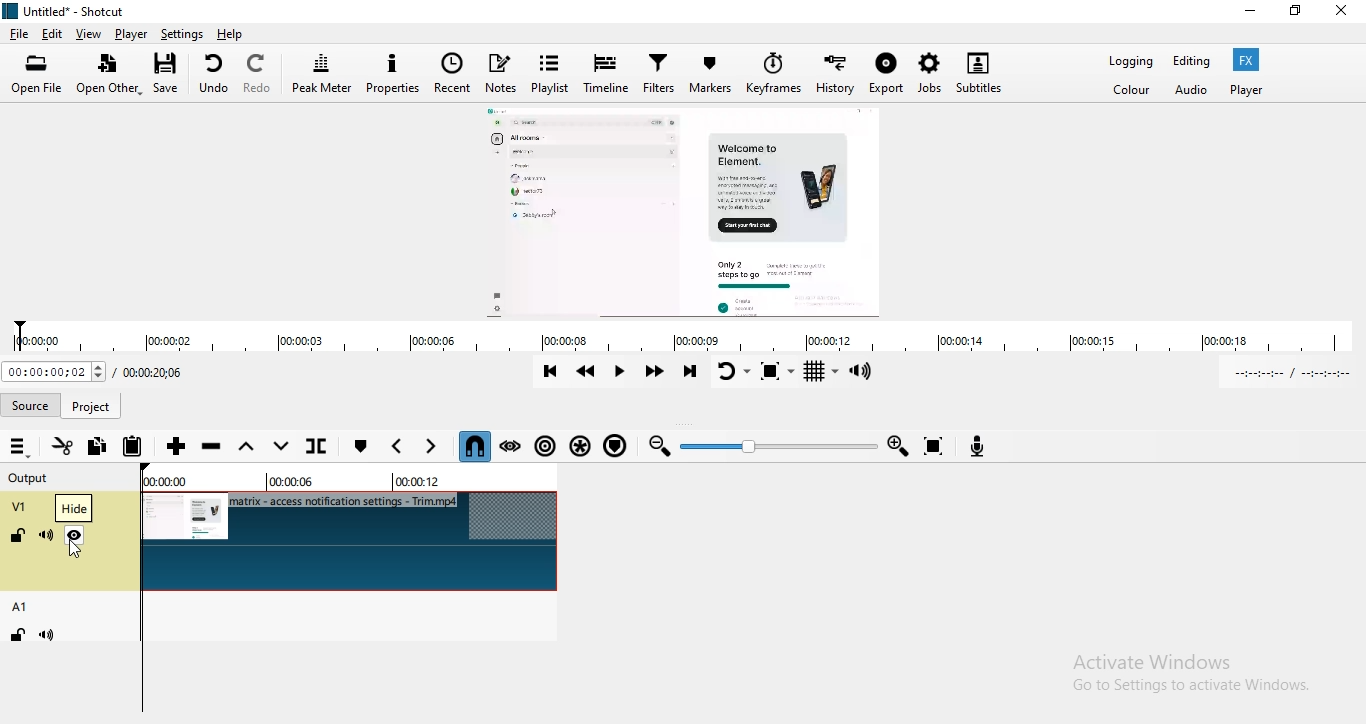 The image size is (1366, 724). What do you see at coordinates (1252, 91) in the screenshot?
I see `Player` at bounding box center [1252, 91].